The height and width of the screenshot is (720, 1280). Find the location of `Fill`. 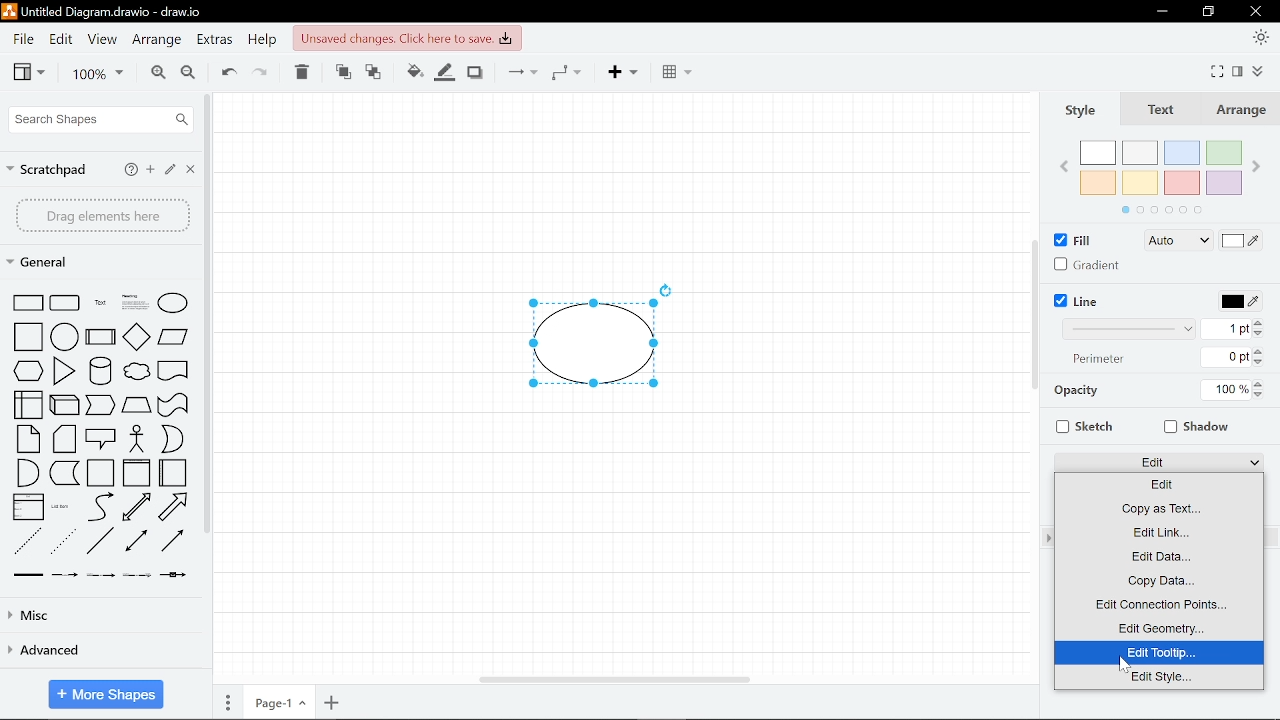

Fill is located at coordinates (1073, 240).